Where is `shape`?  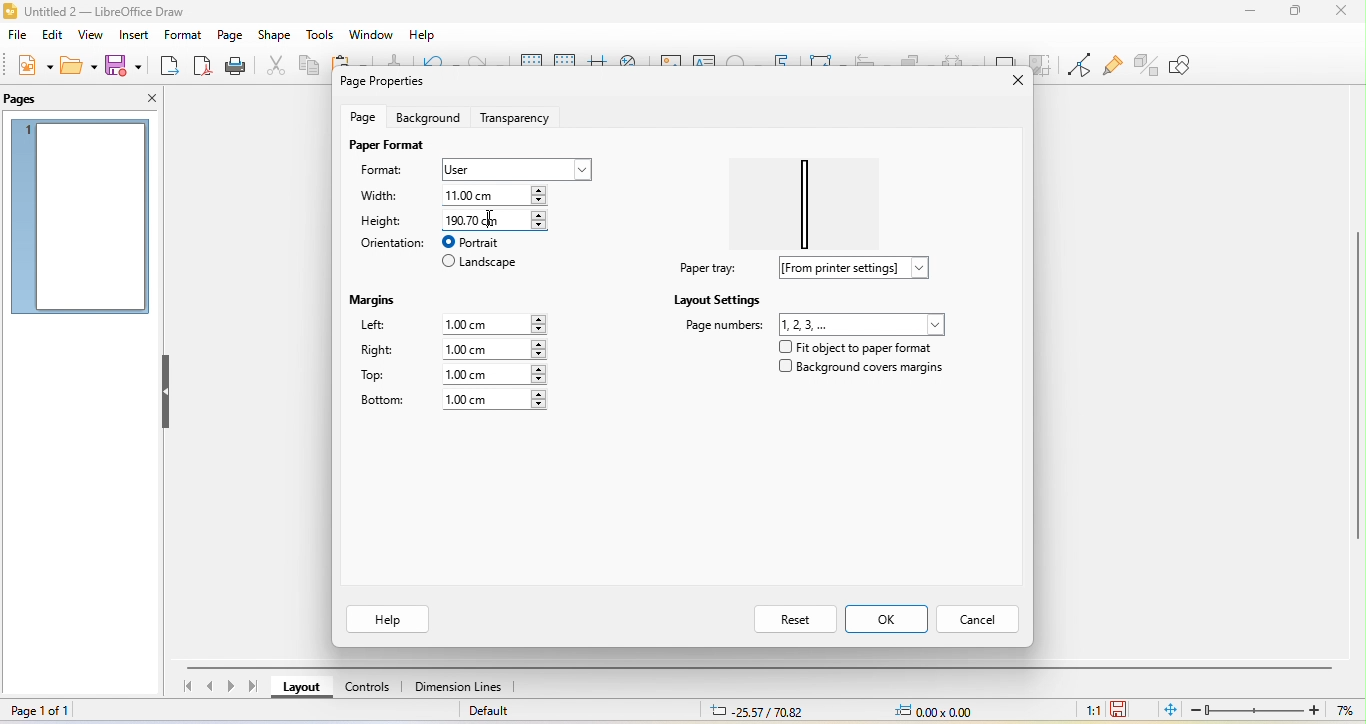 shape is located at coordinates (275, 36).